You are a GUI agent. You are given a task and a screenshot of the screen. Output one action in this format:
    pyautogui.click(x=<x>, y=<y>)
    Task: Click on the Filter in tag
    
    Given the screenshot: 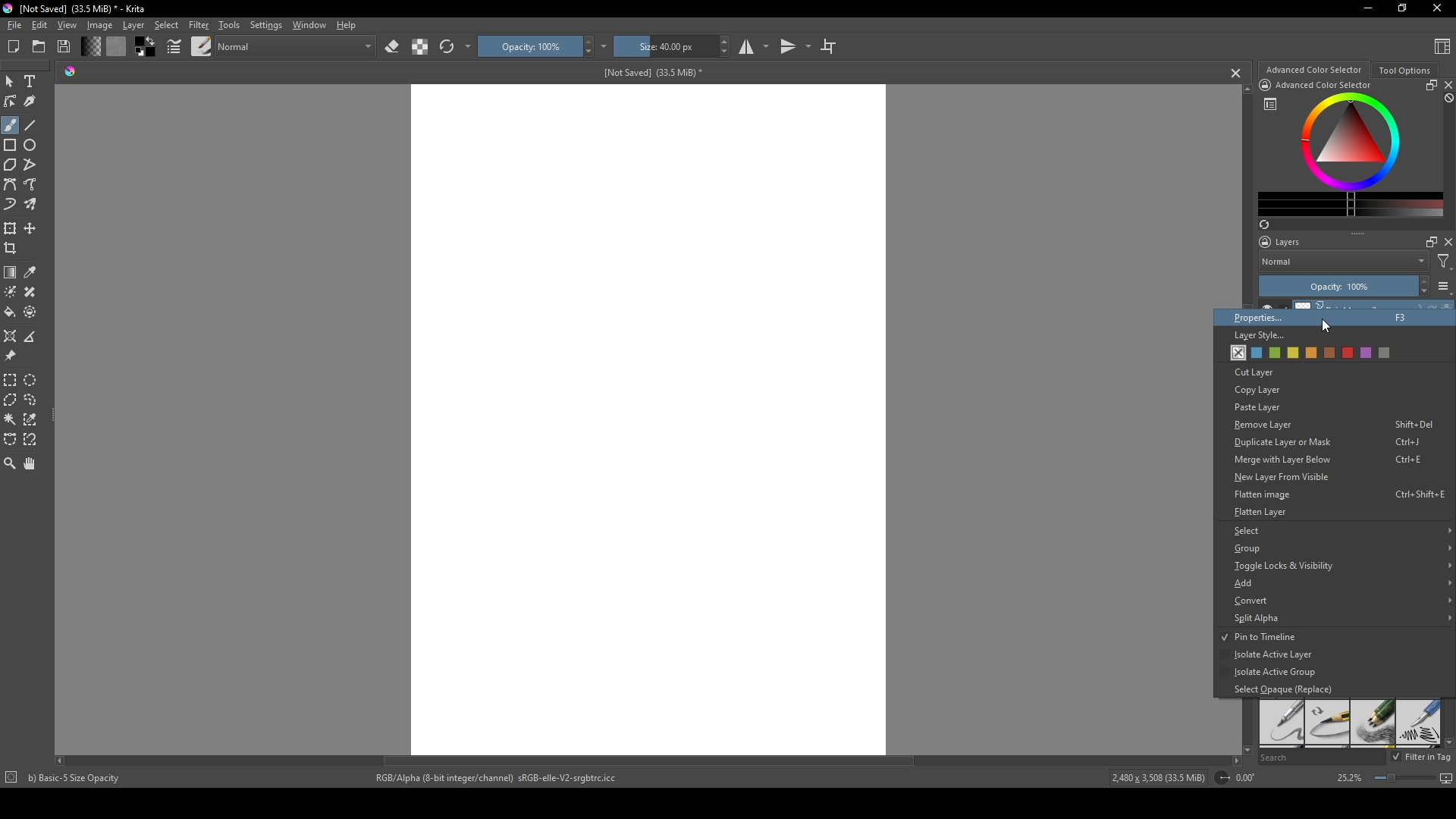 What is the action you would take?
    pyautogui.click(x=1423, y=758)
    